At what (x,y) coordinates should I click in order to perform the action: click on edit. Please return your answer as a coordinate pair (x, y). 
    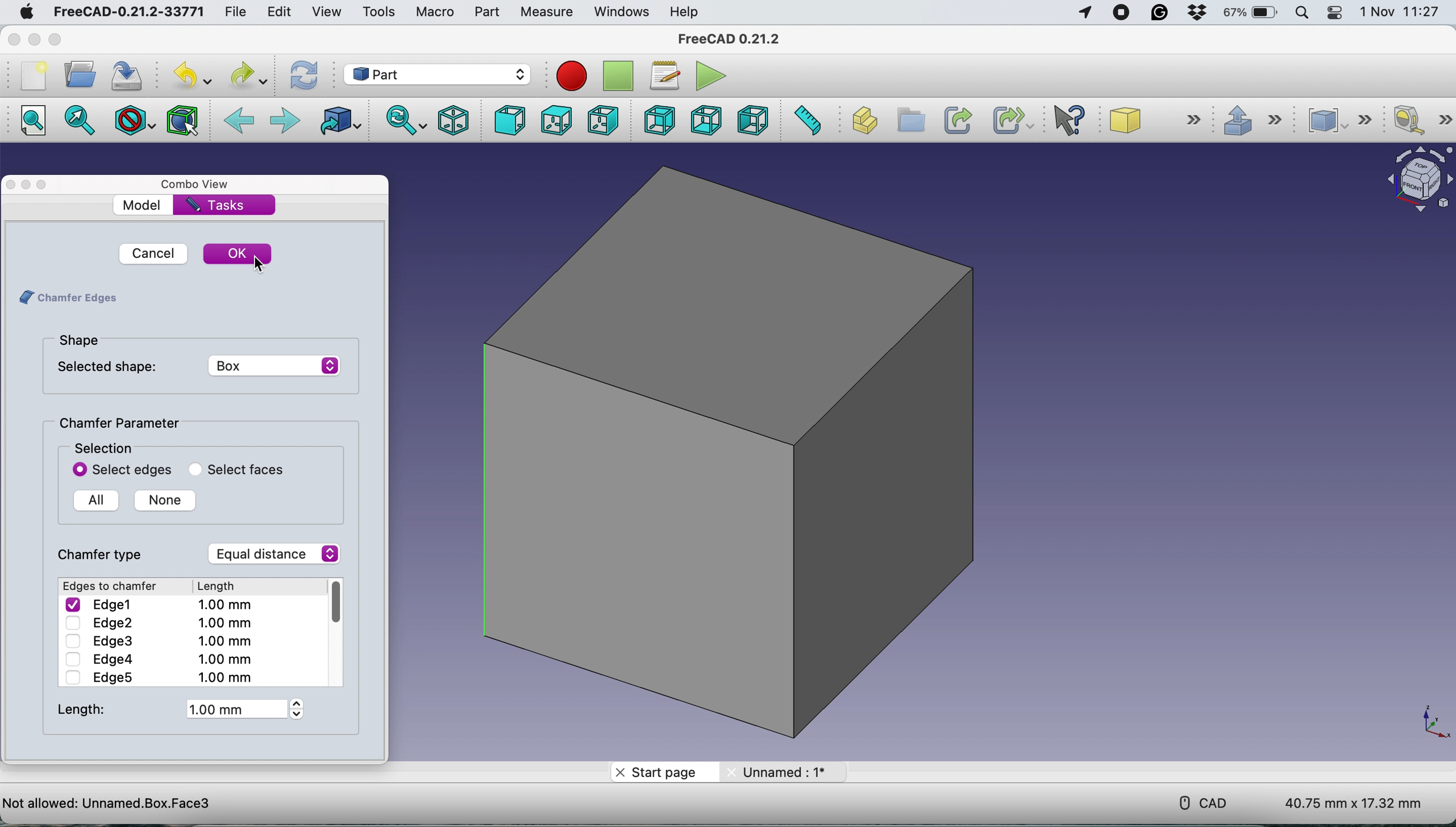
    Looking at the image, I should click on (282, 13).